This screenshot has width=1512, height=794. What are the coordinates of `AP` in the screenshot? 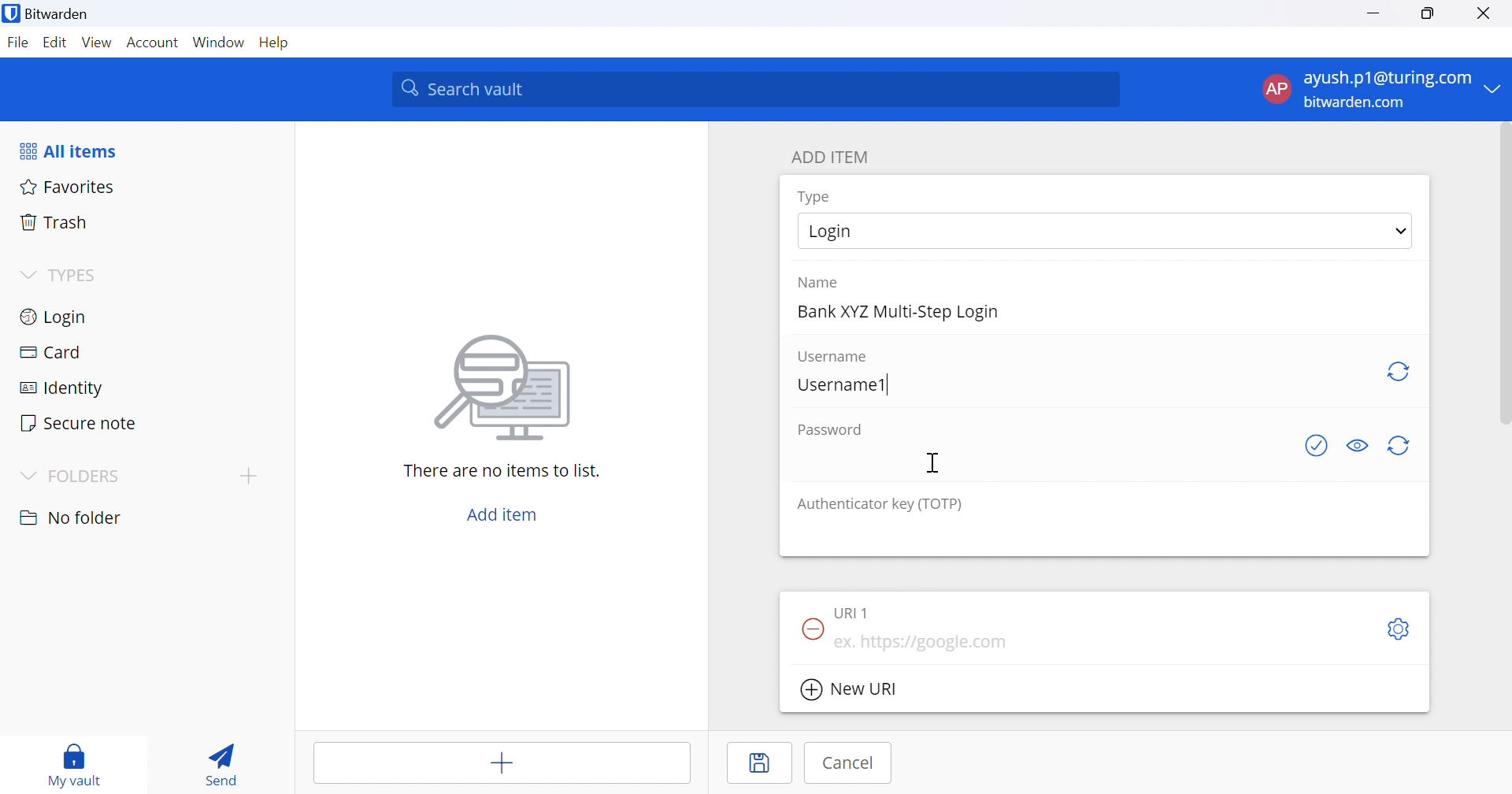 It's located at (1275, 88).